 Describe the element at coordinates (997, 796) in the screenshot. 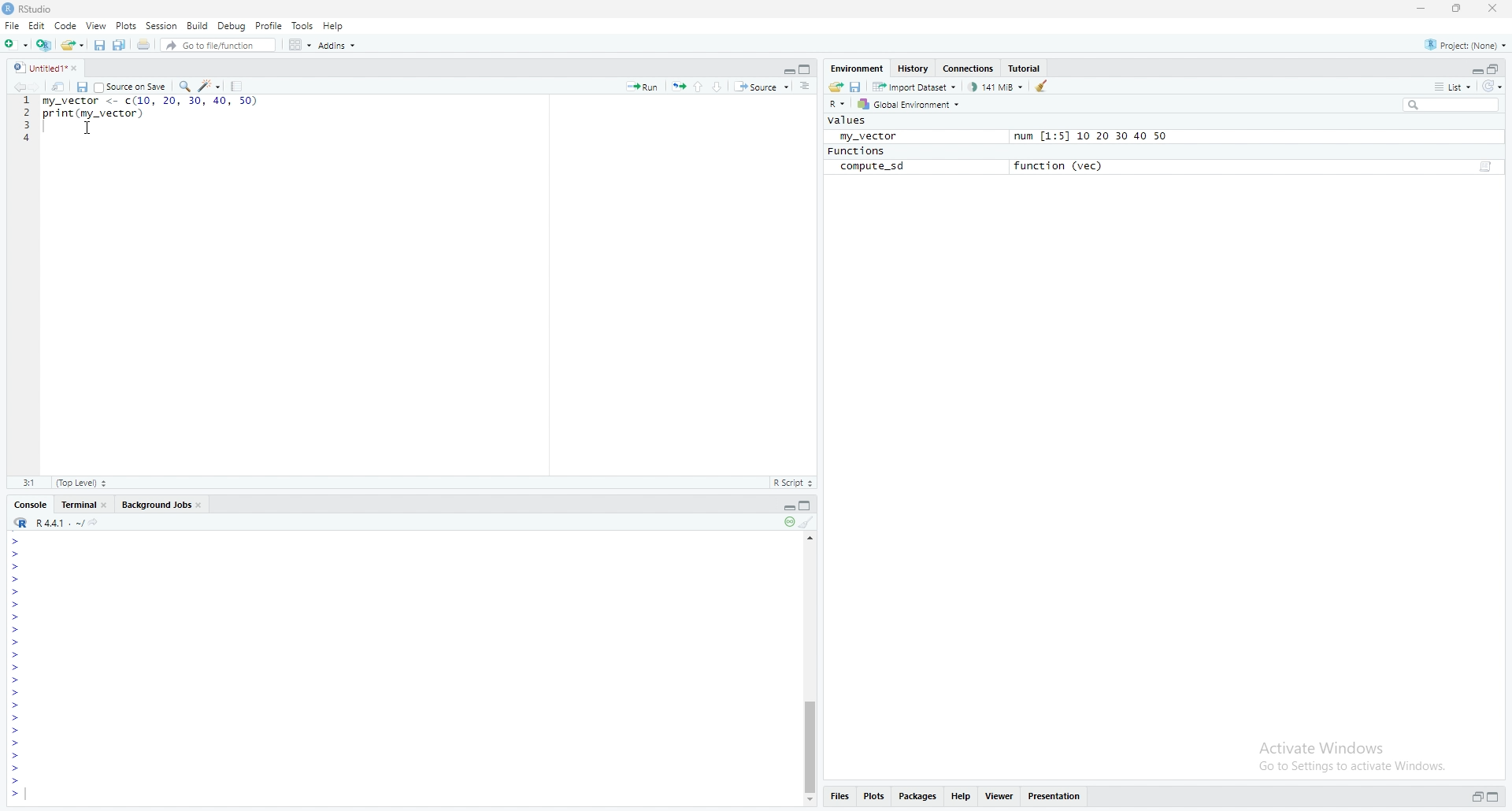

I see `Viewer` at that location.